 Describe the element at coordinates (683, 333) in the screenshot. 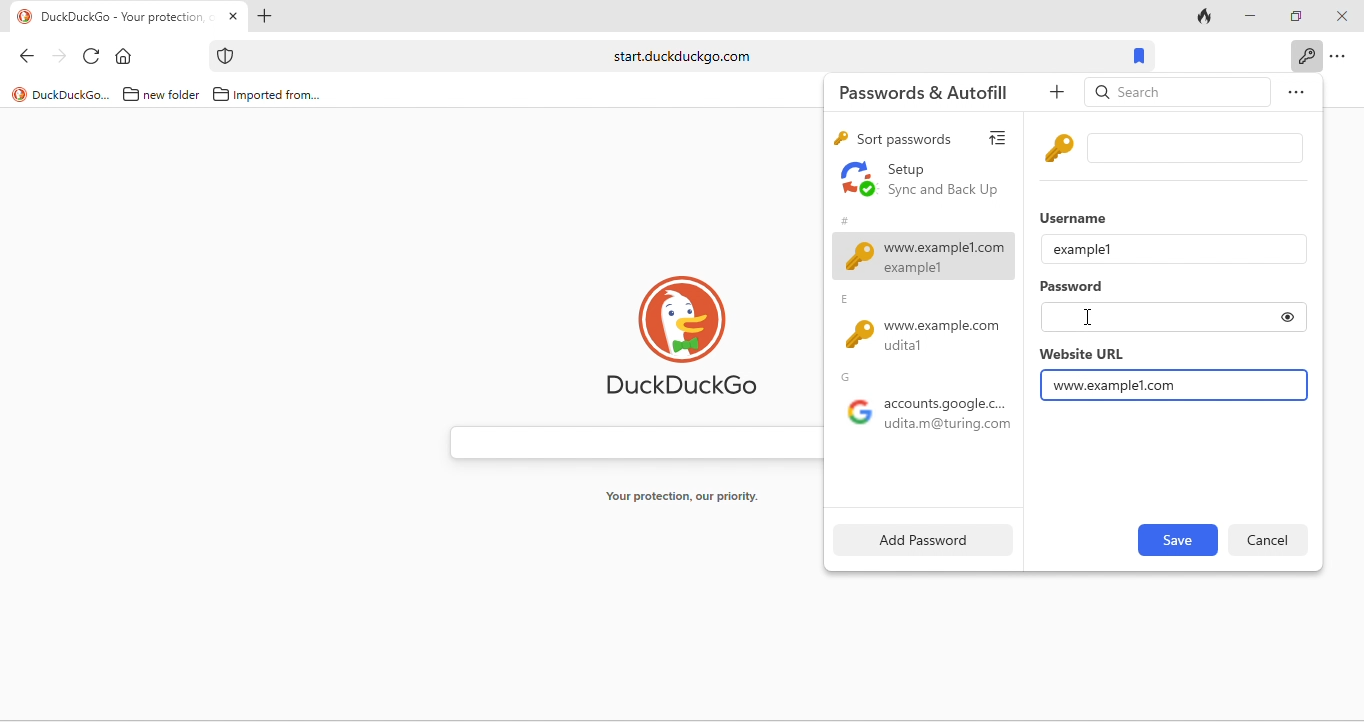

I see `duck duck go logo` at that location.